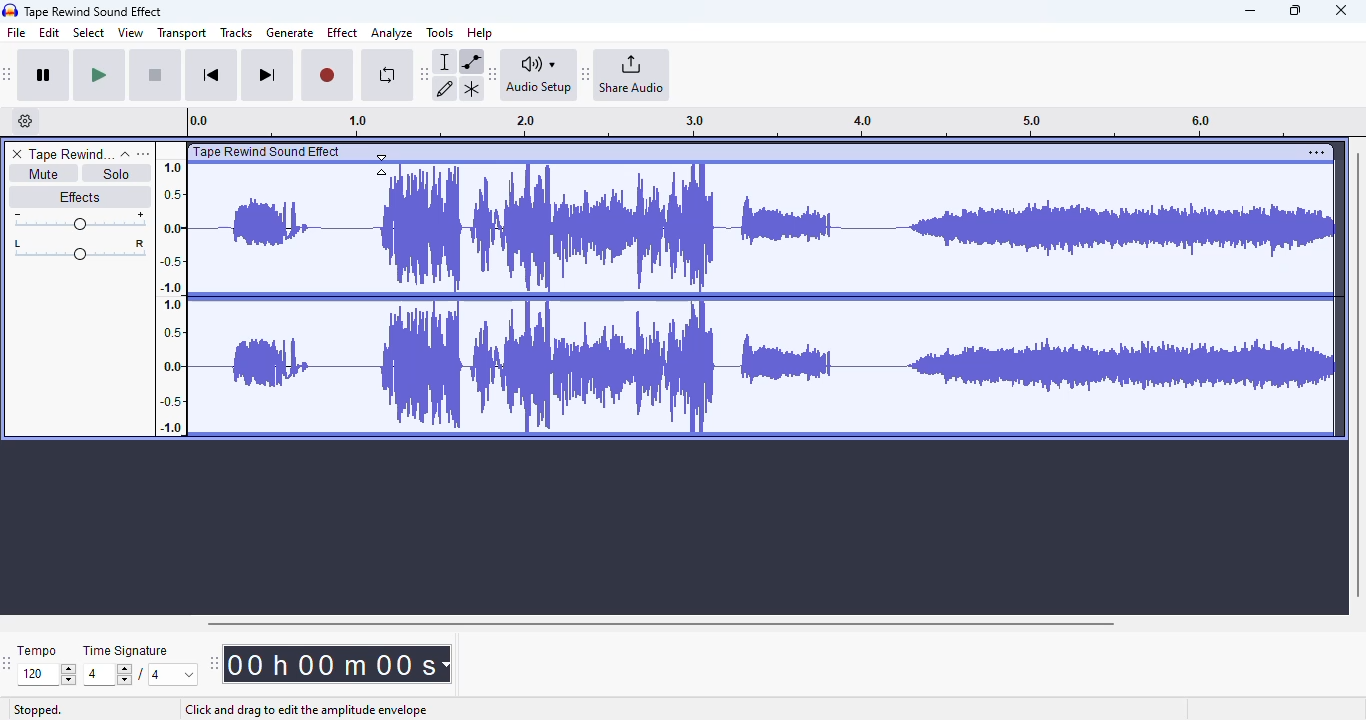  What do you see at coordinates (17, 154) in the screenshot?
I see `delete track` at bounding box center [17, 154].